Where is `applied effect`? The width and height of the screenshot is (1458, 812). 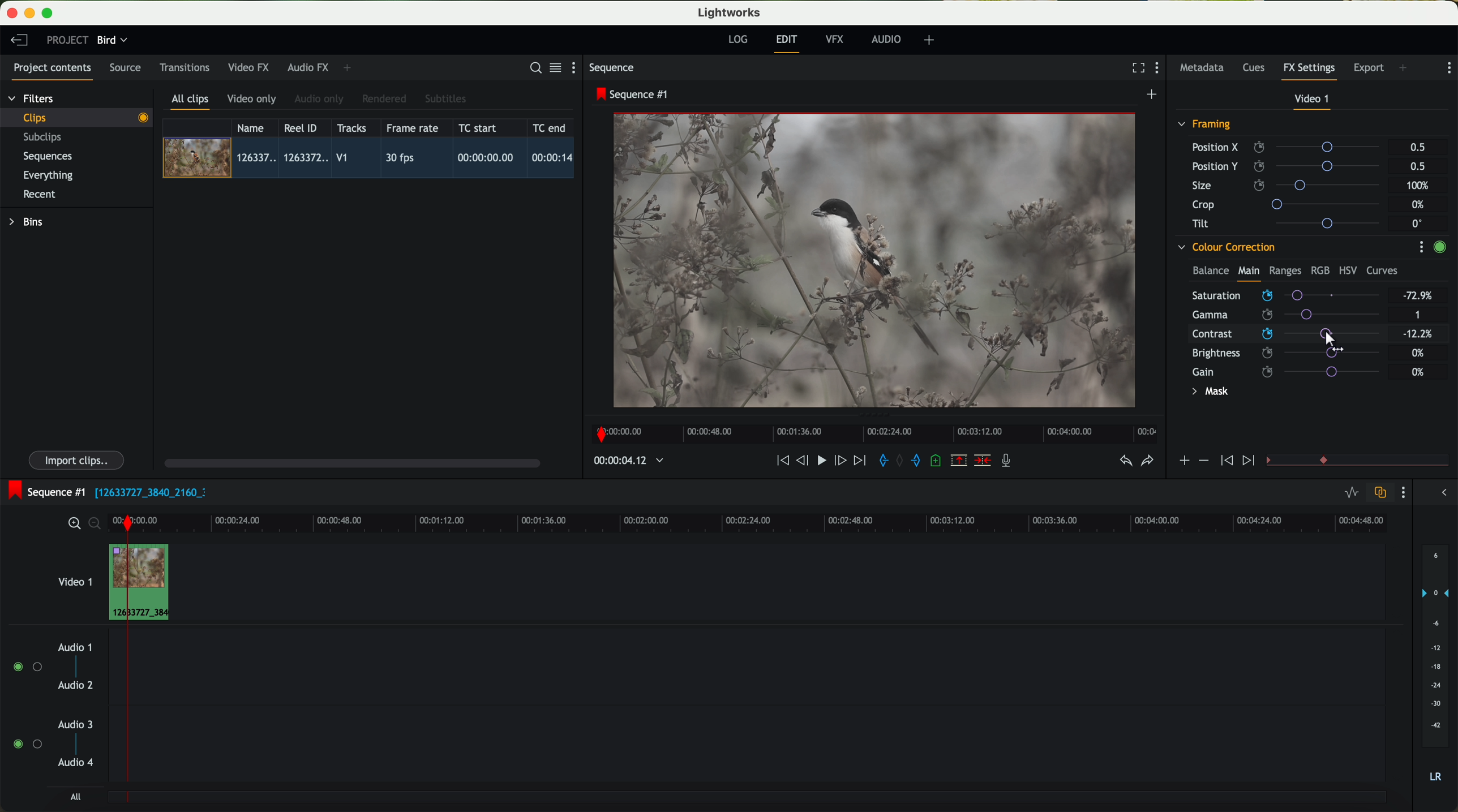
applied effect is located at coordinates (877, 260).